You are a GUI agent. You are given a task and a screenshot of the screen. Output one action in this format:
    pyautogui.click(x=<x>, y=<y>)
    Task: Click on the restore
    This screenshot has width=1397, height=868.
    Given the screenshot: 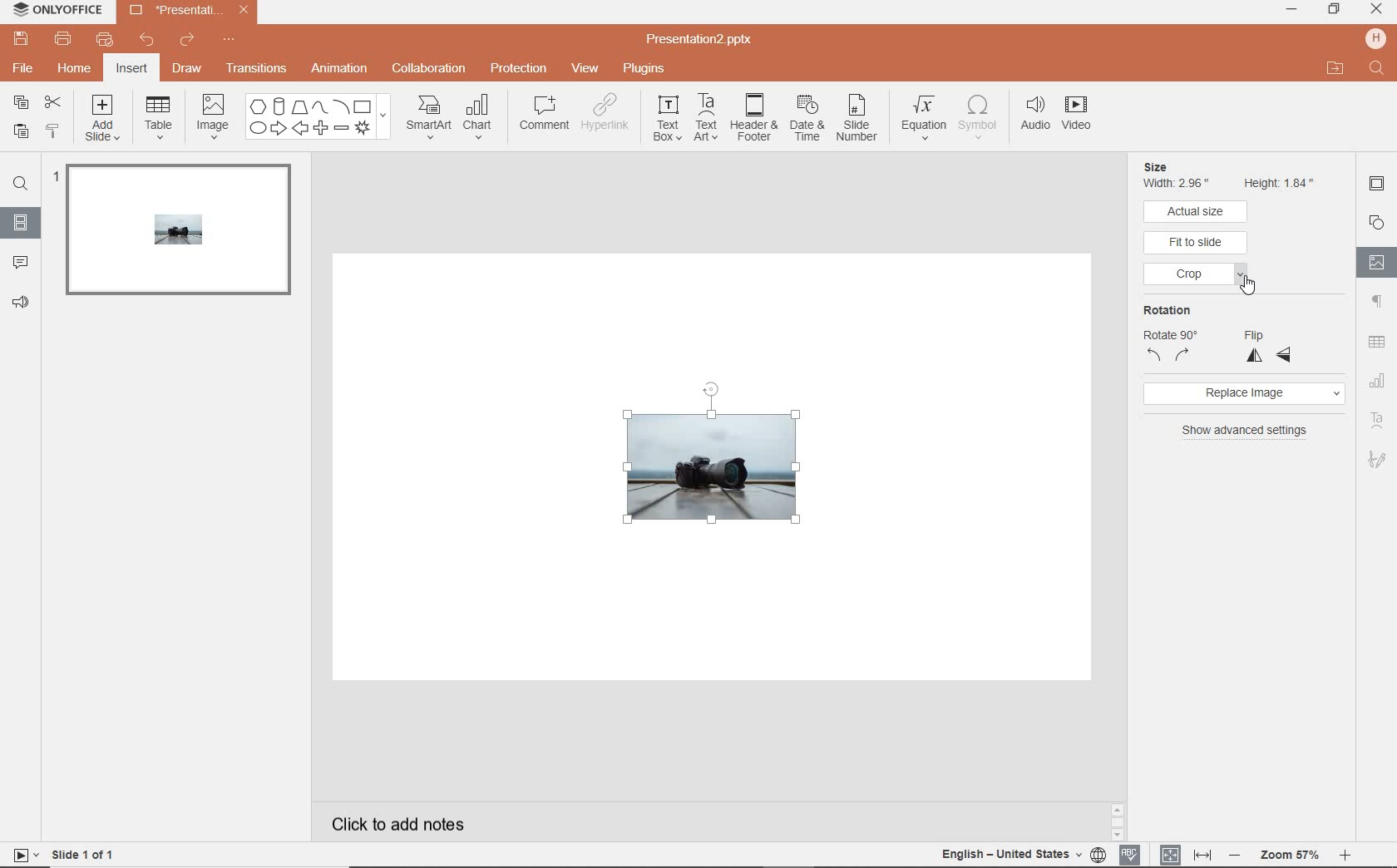 What is the action you would take?
    pyautogui.click(x=1335, y=11)
    